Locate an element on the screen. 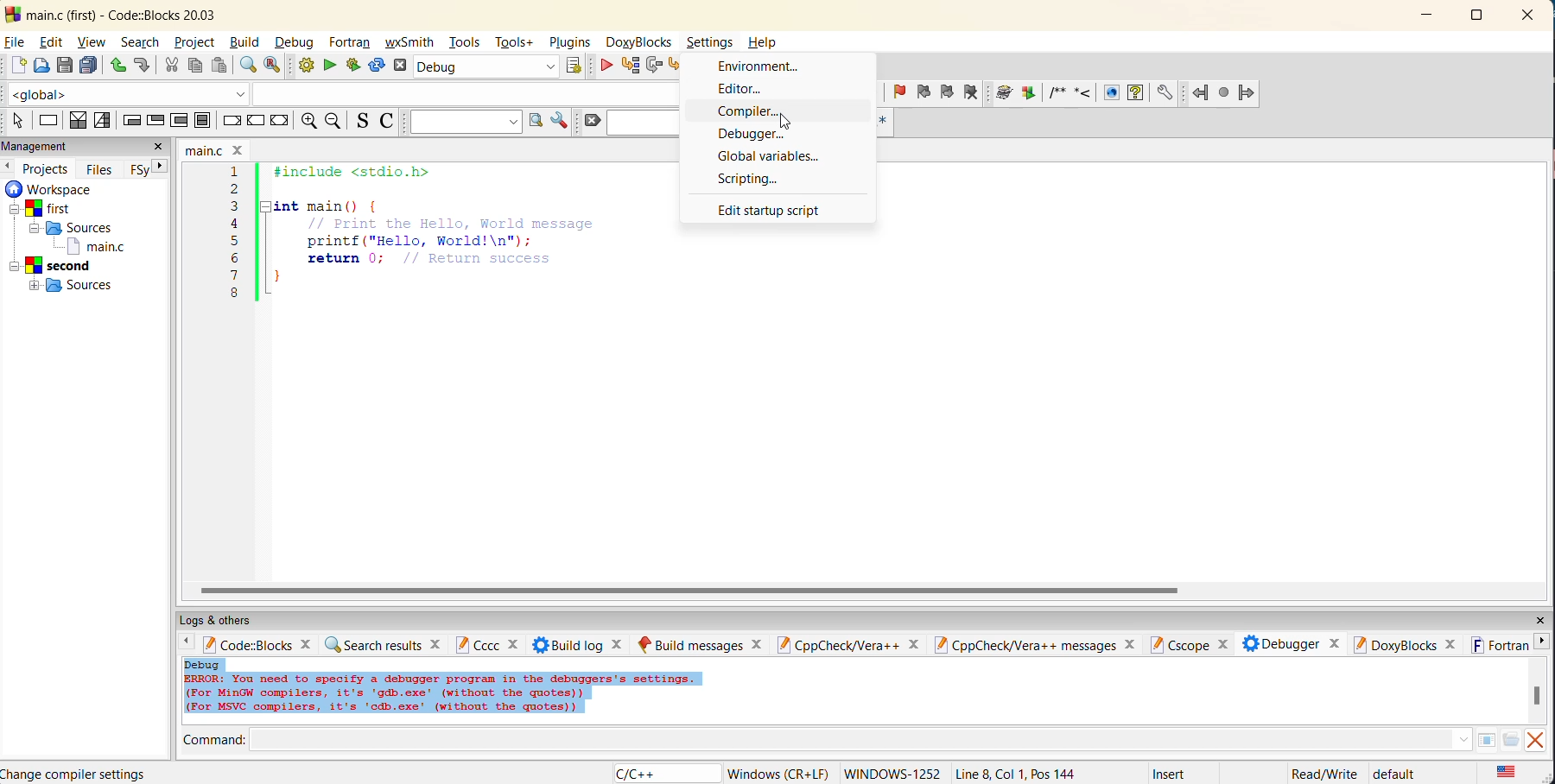 This screenshot has width=1555, height=784. HTML is located at coordinates (1108, 93).